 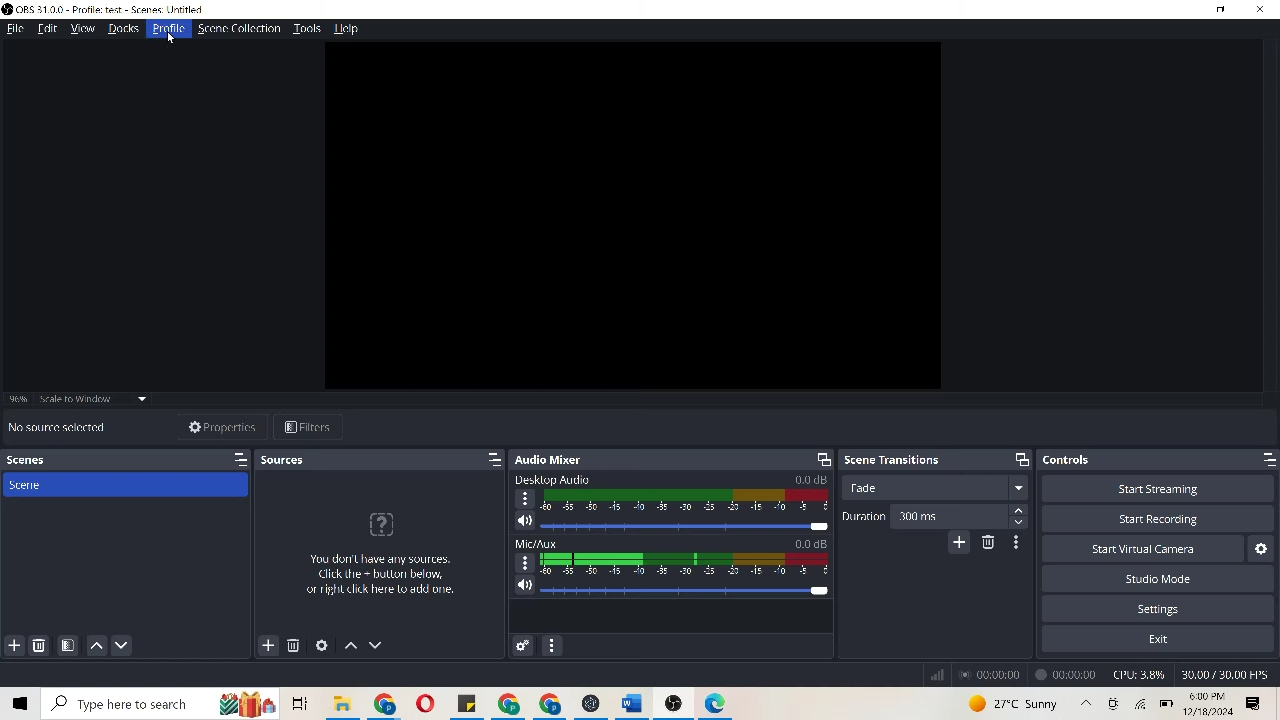 I want to click on edit, so click(x=46, y=30).